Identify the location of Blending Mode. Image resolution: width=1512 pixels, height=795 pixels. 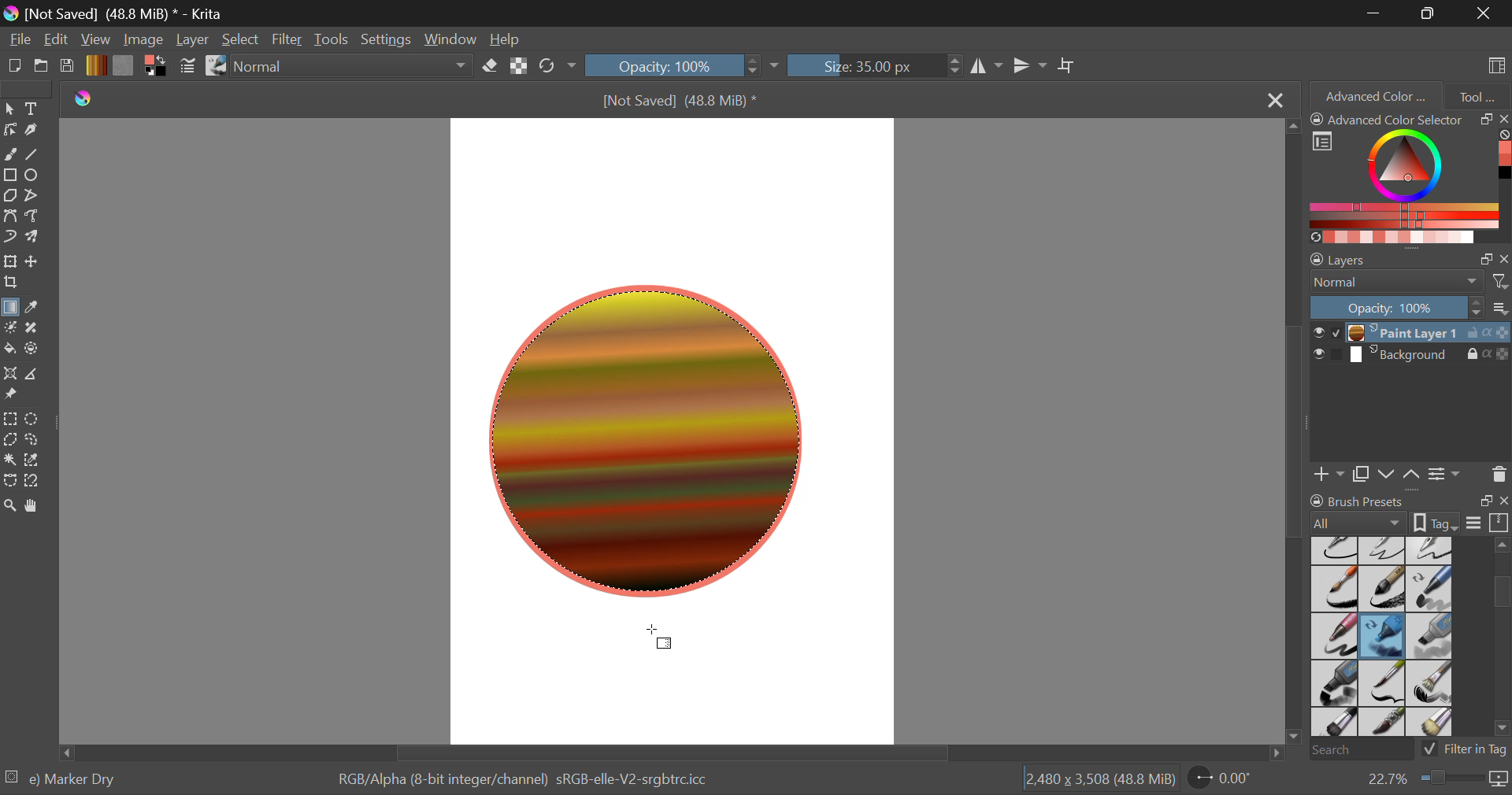
(356, 67).